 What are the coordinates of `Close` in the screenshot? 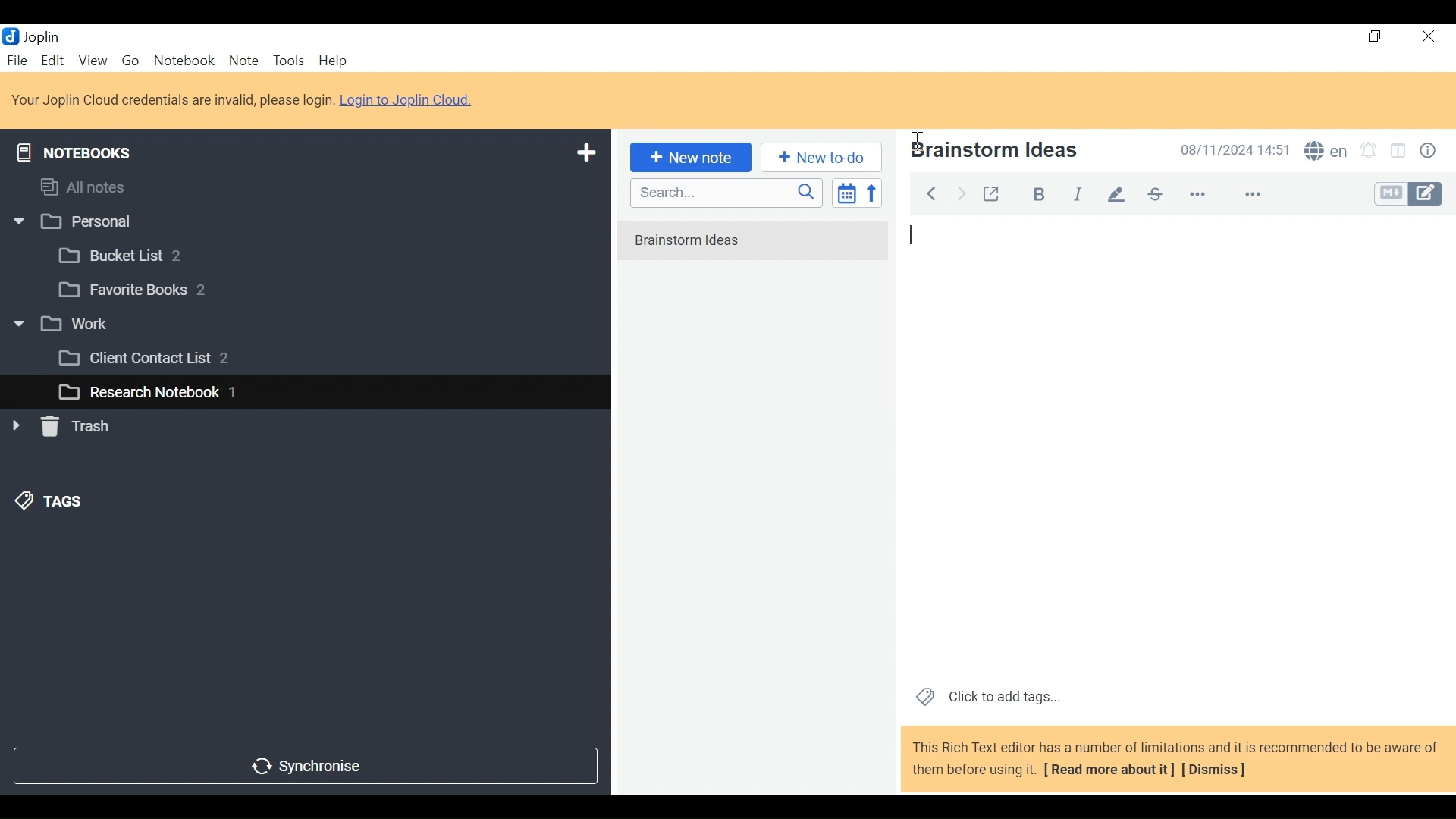 It's located at (1426, 37).